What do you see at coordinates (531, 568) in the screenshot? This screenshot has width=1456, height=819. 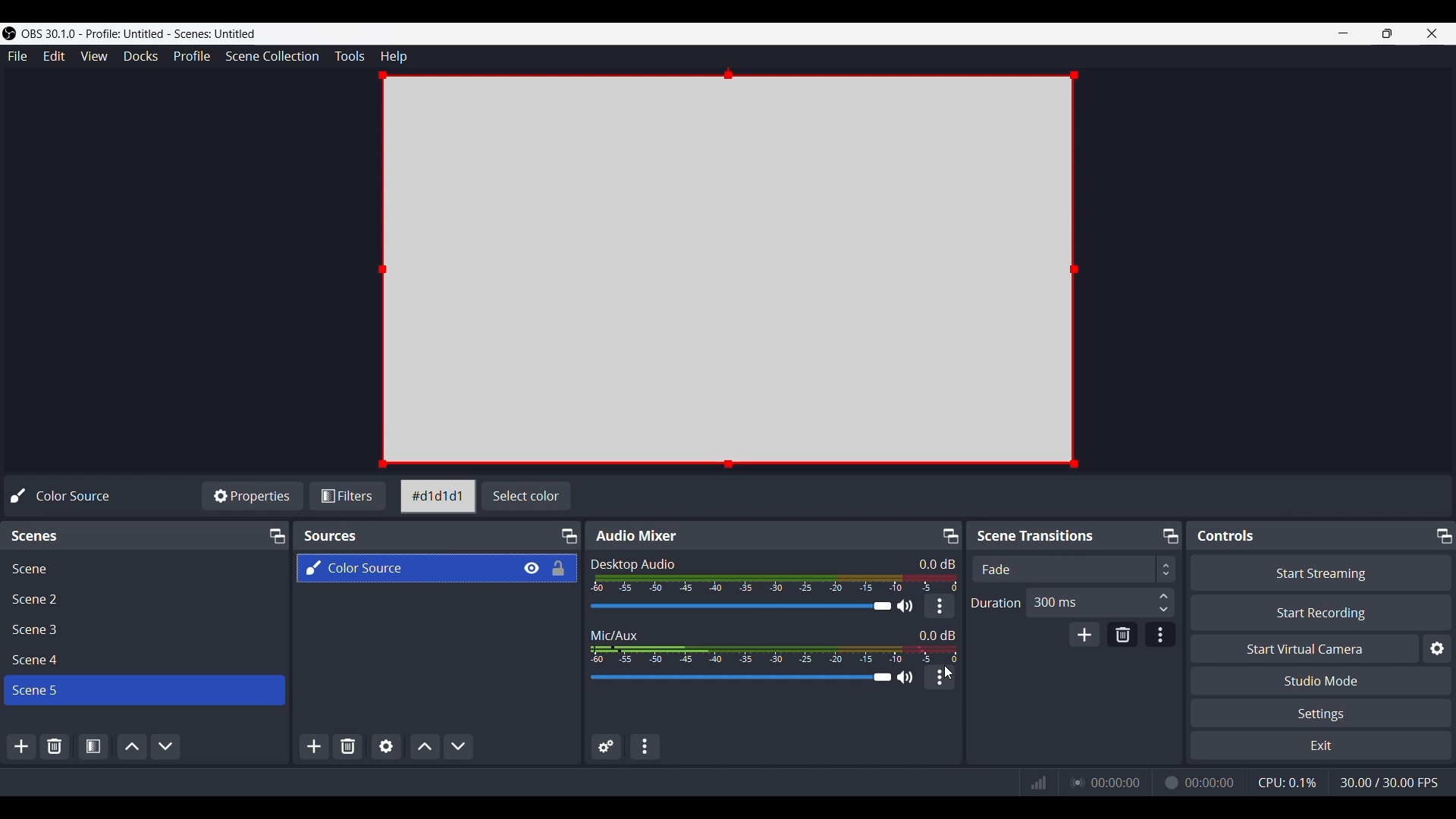 I see `Make source visible on canvas space` at bounding box center [531, 568].